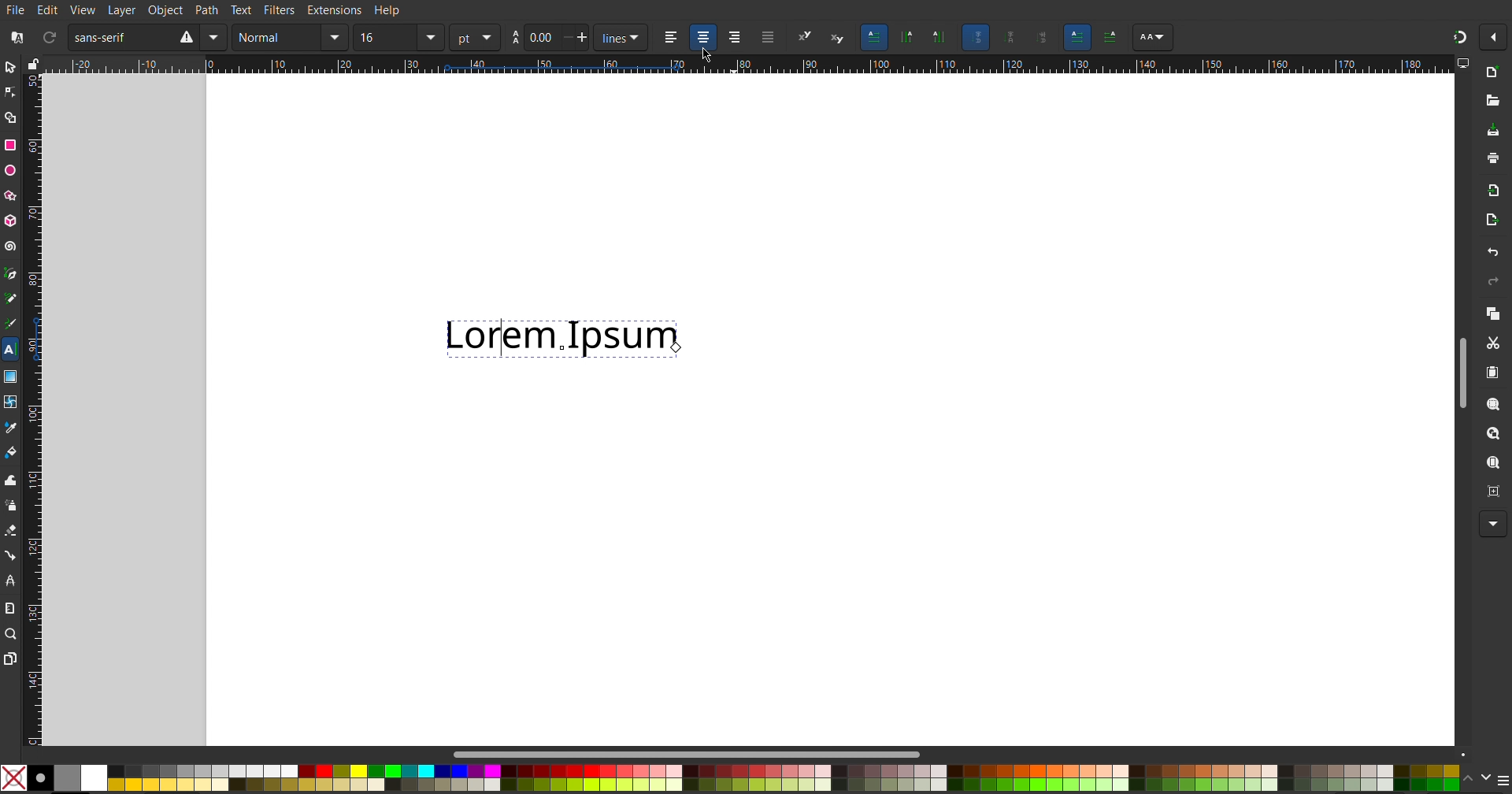 The height and width of the screenshot is (794, 1512). I want to click on Text Tool, so click(13, 351).